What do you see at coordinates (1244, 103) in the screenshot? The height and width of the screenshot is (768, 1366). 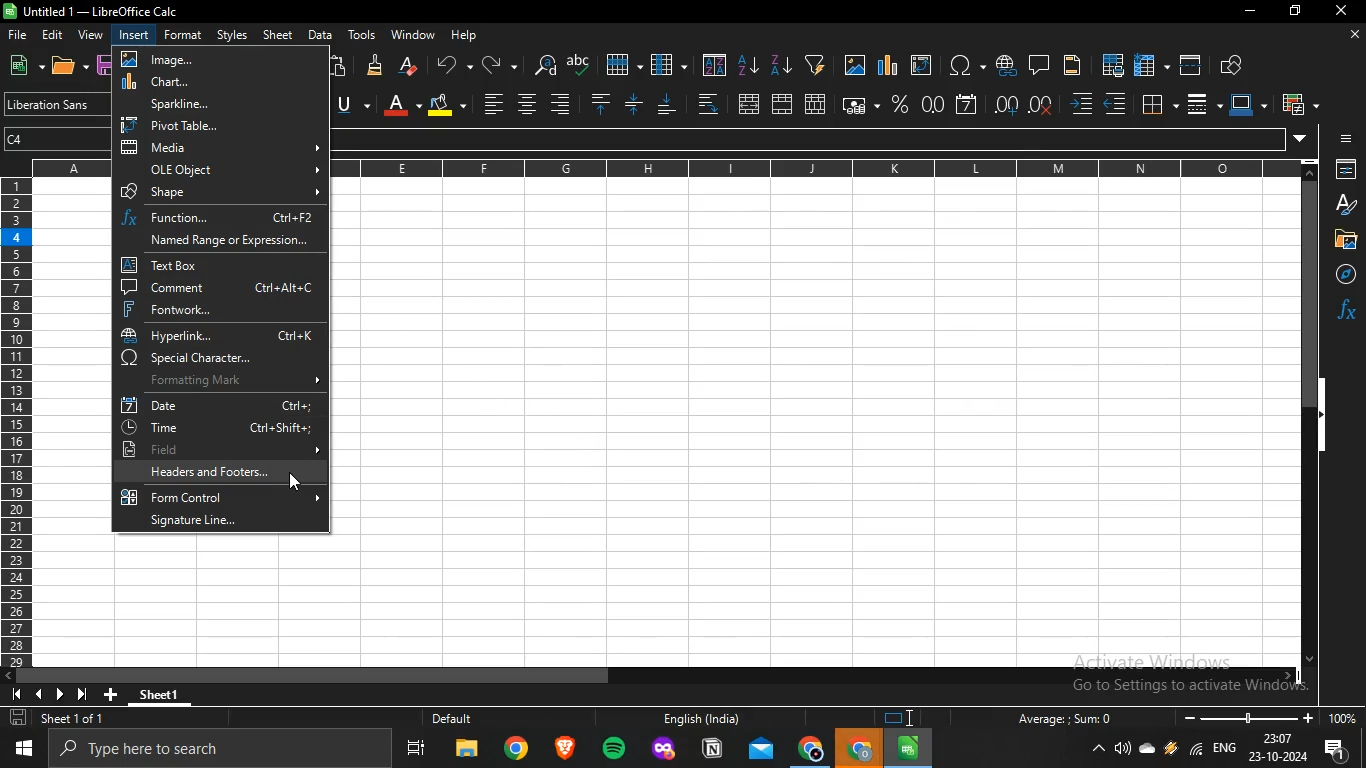 I see `border color` at bounding box center [1244, 103].